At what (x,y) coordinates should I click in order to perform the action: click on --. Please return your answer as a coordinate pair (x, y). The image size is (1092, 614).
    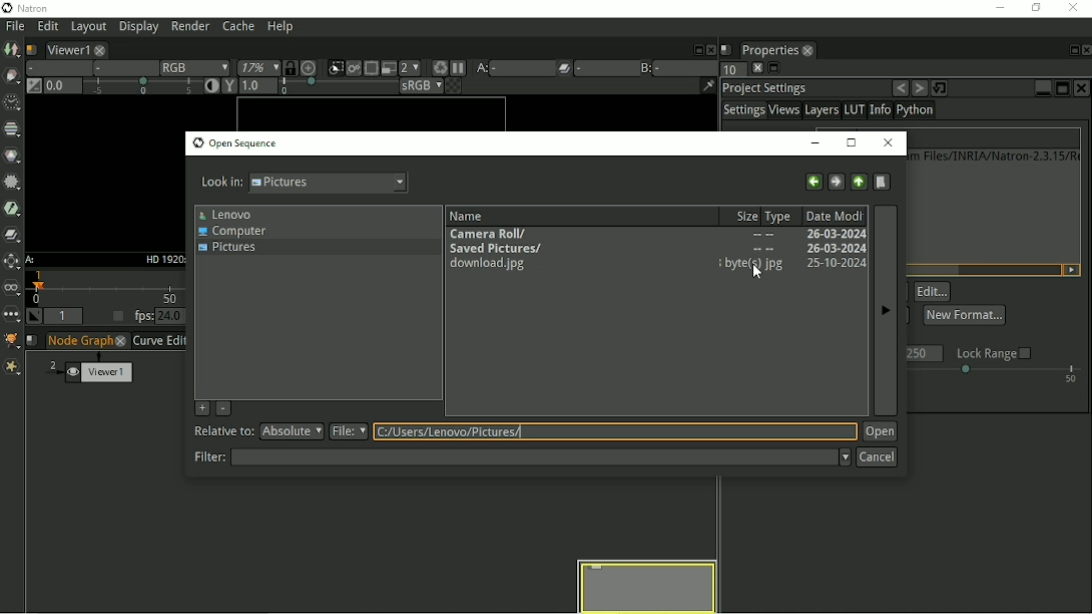
    Looking at the image, I should click on (763, 236).